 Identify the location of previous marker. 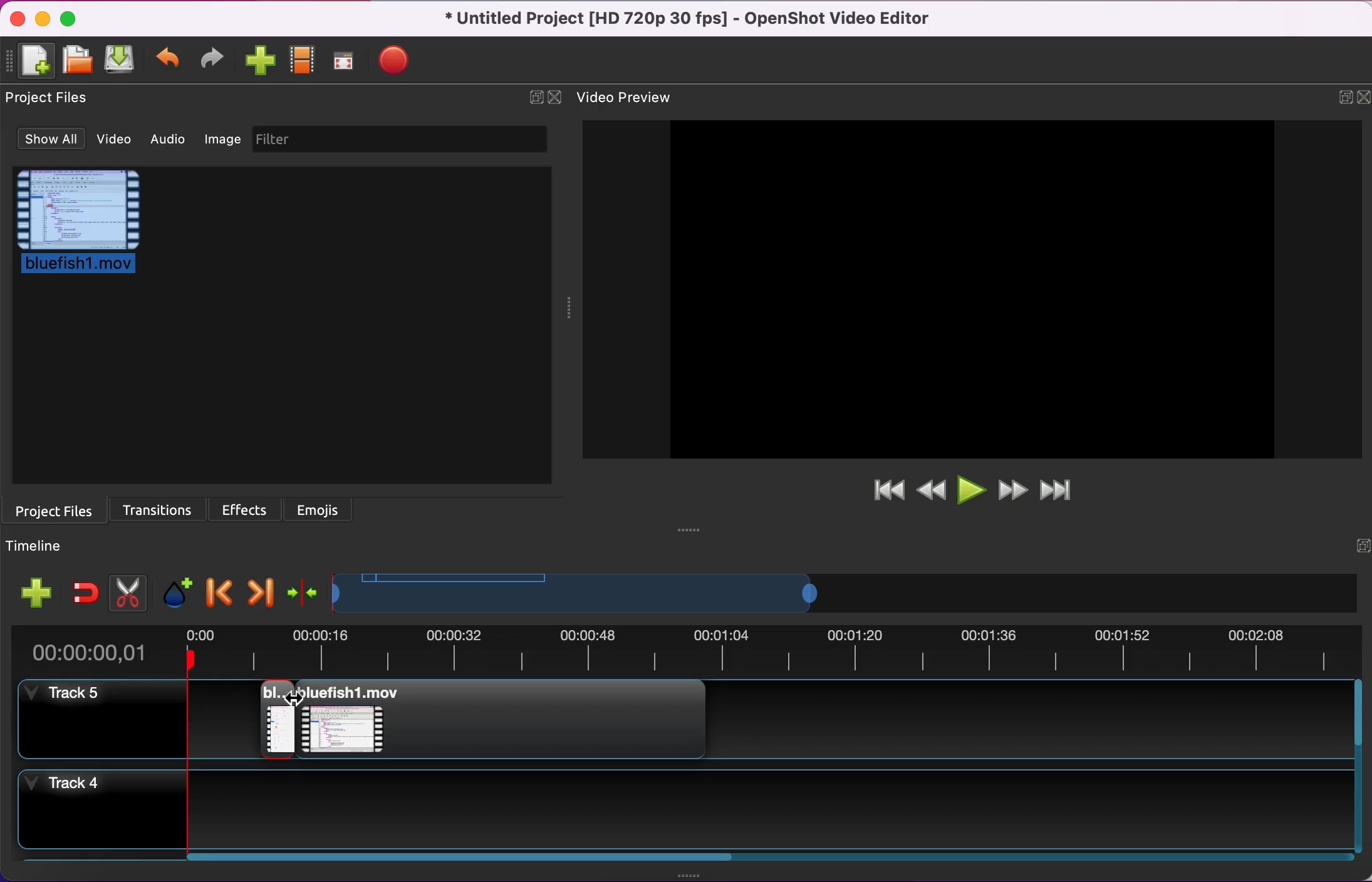
(216, 591).